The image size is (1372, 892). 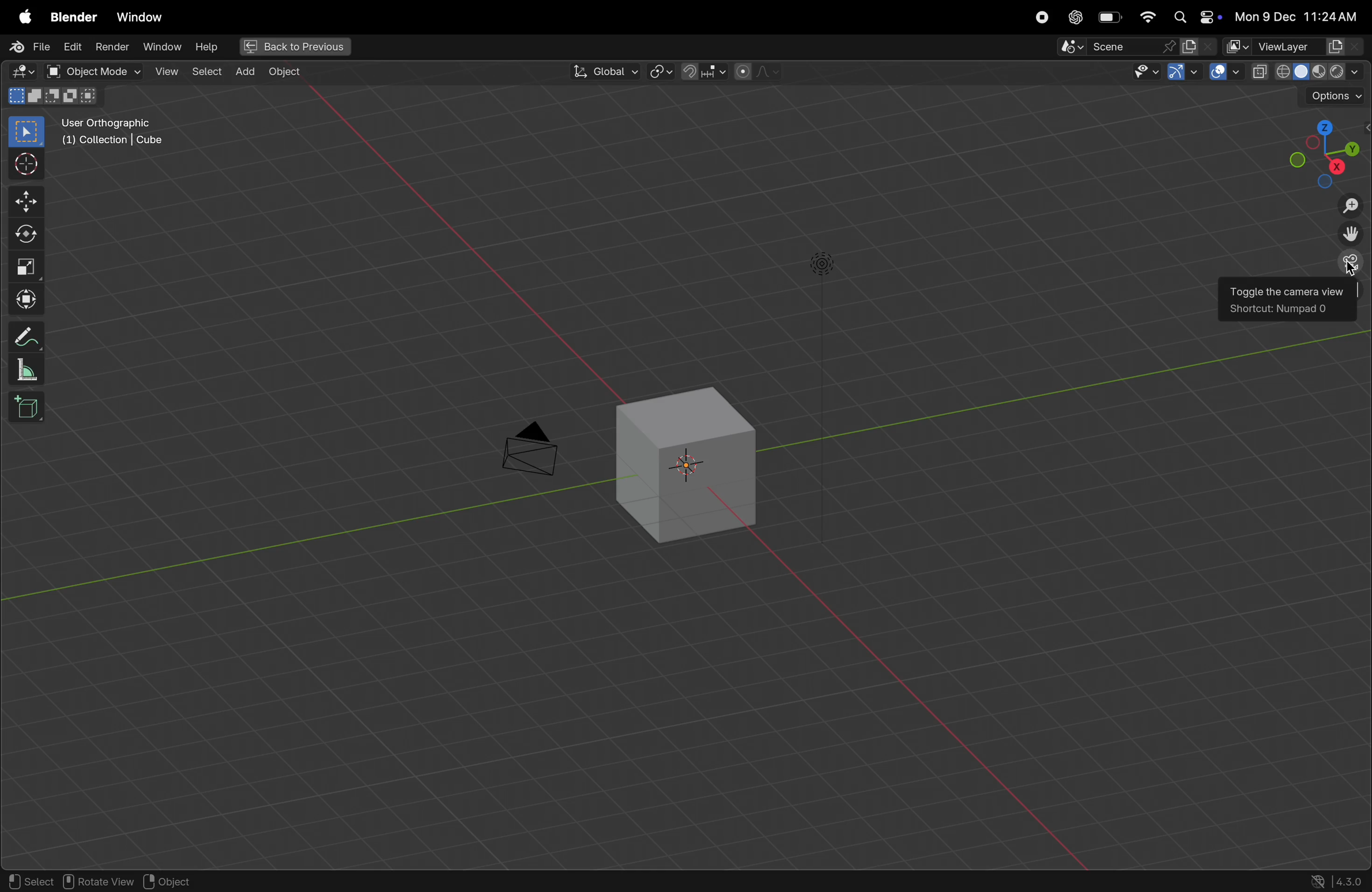 What do you see at coordinates (126, 131) in the screenshot?
I see `user perspective` at bounding box center [126, 131].